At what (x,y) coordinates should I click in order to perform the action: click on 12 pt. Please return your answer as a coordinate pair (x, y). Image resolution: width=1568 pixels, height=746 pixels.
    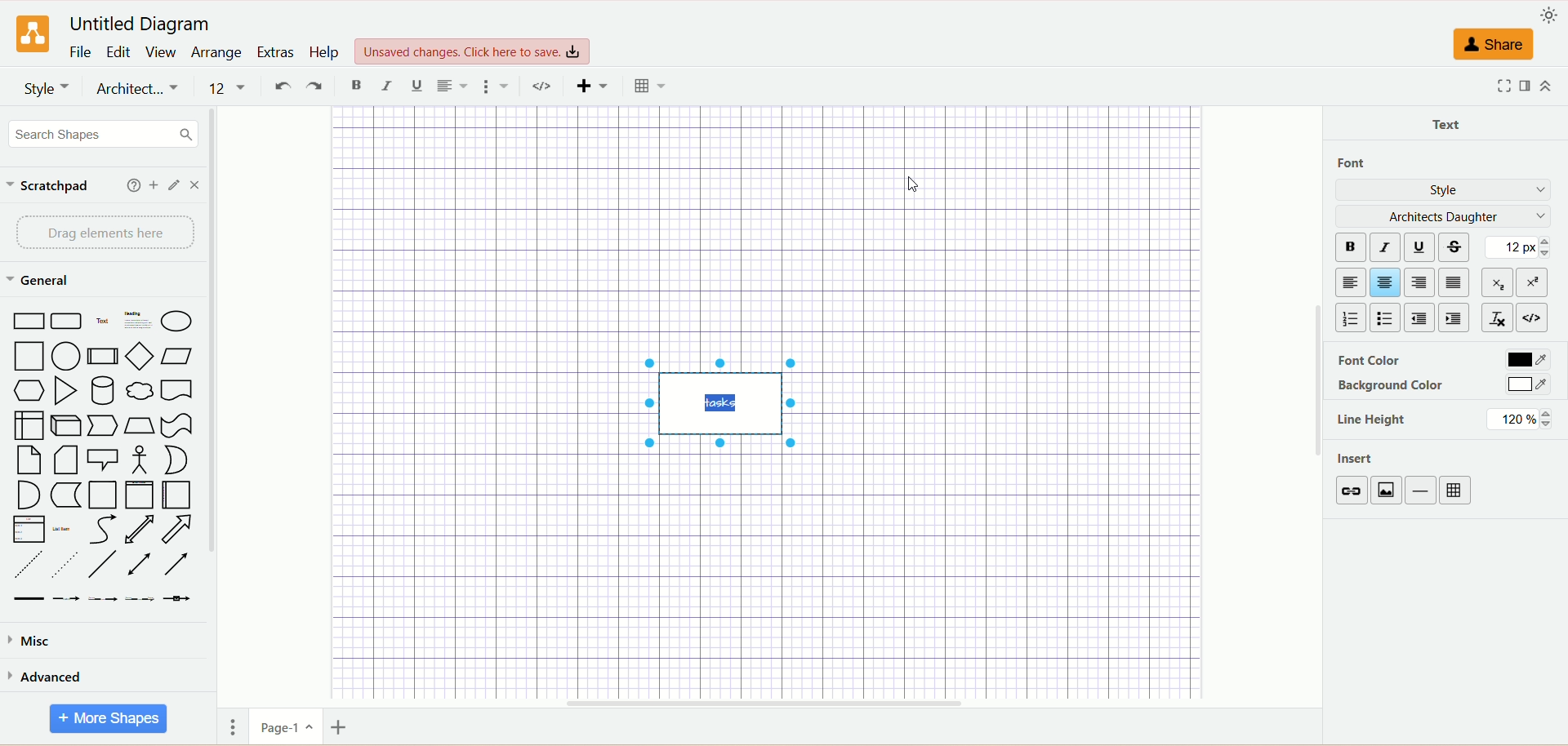
    Looking at the image, I should click on (1521, 247).